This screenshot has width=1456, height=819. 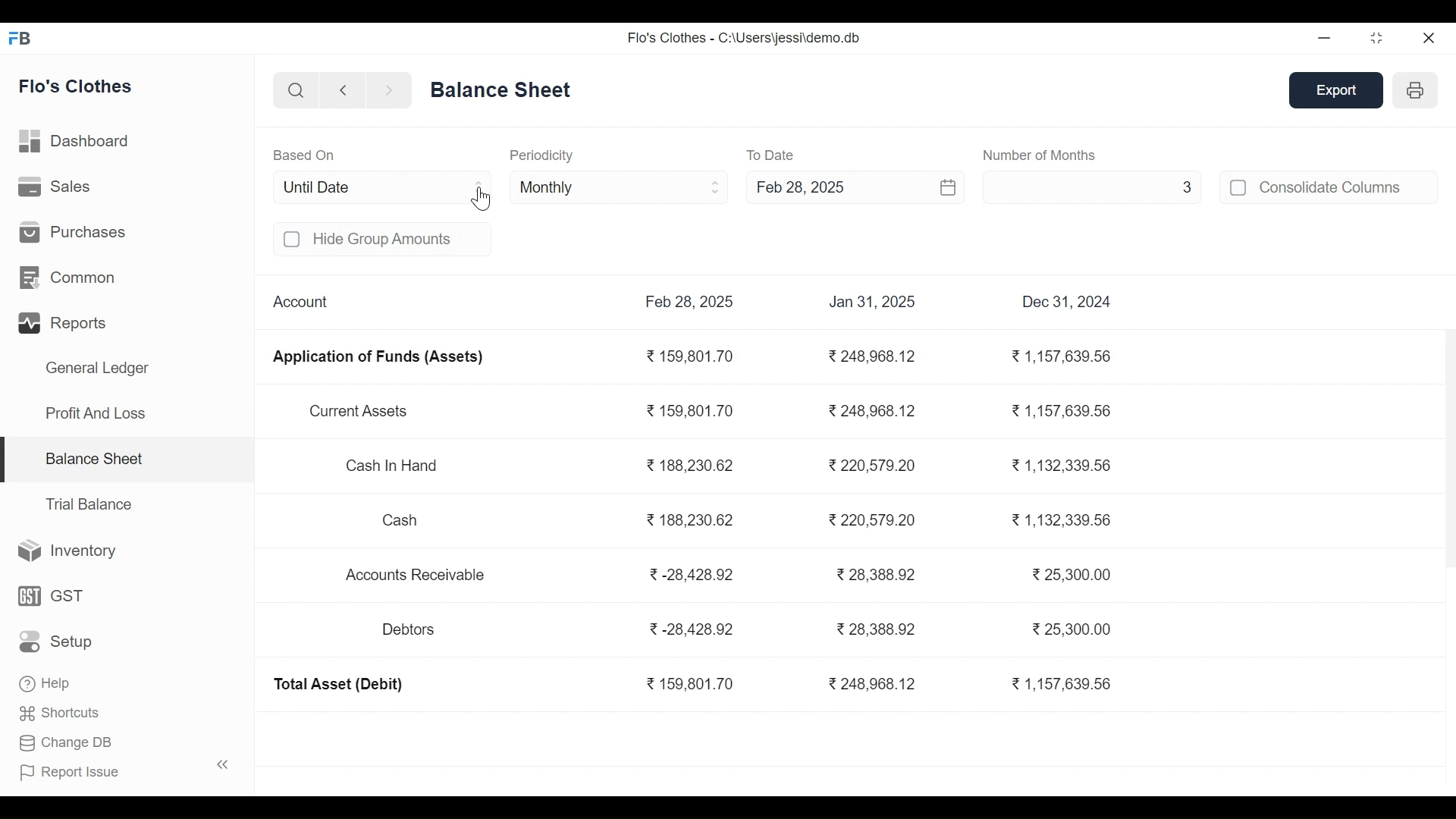 I want to click on Based On, so click(x=304, y=155).